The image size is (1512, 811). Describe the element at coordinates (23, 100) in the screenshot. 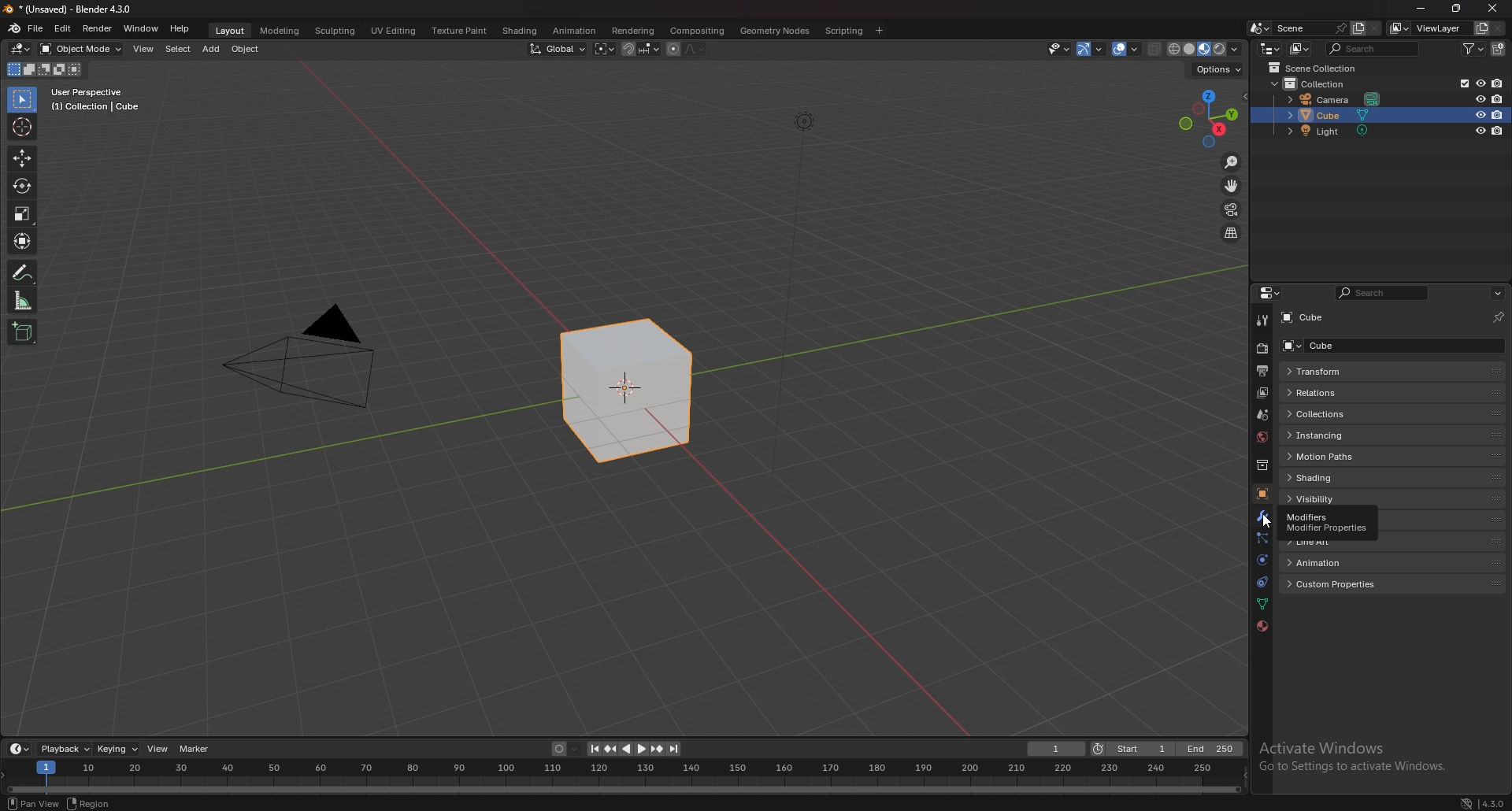

I see `selector` at that location.